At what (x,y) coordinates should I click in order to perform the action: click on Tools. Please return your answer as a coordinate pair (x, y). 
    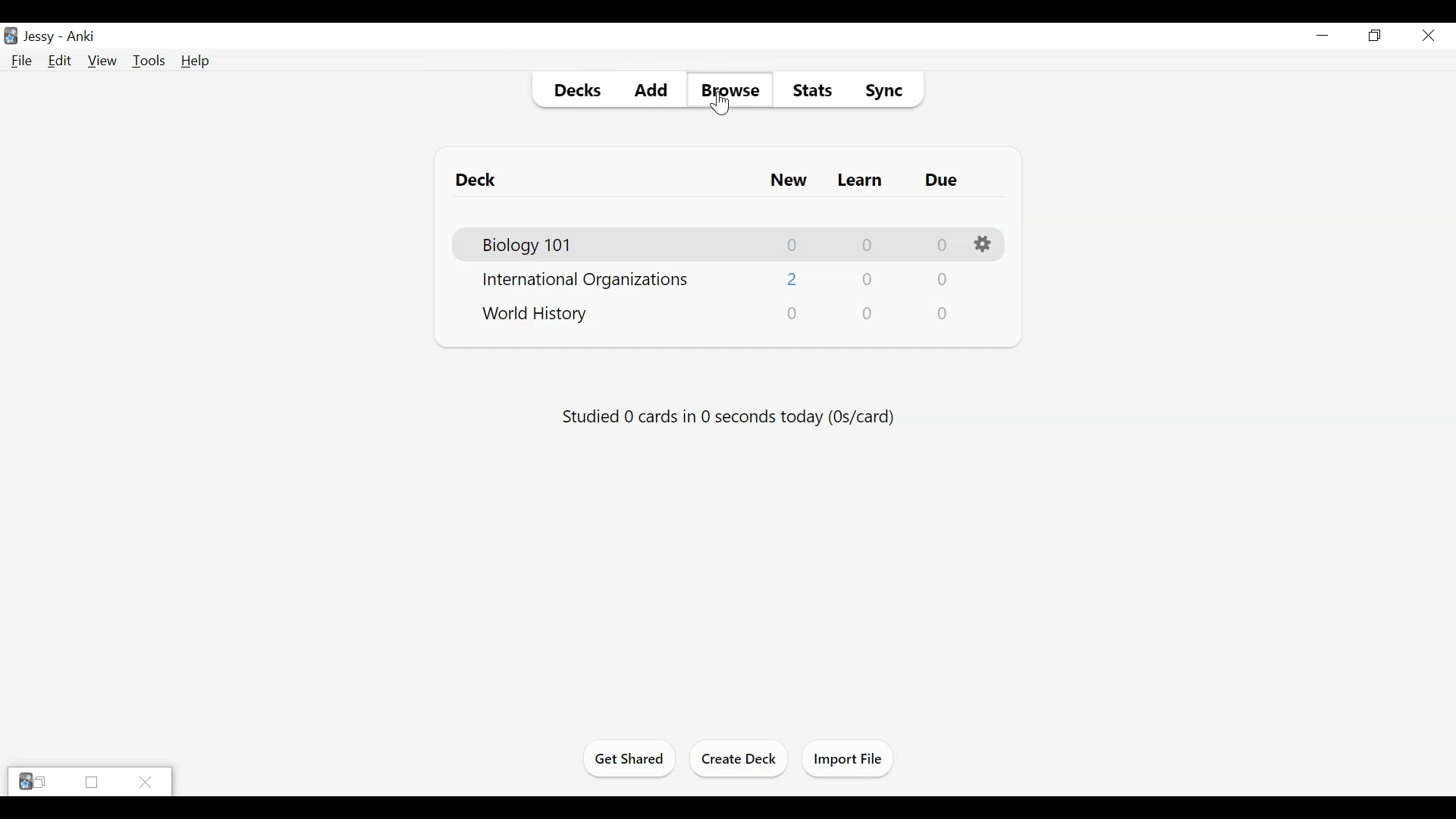
    Looking at the image, I should click on (149, 61).